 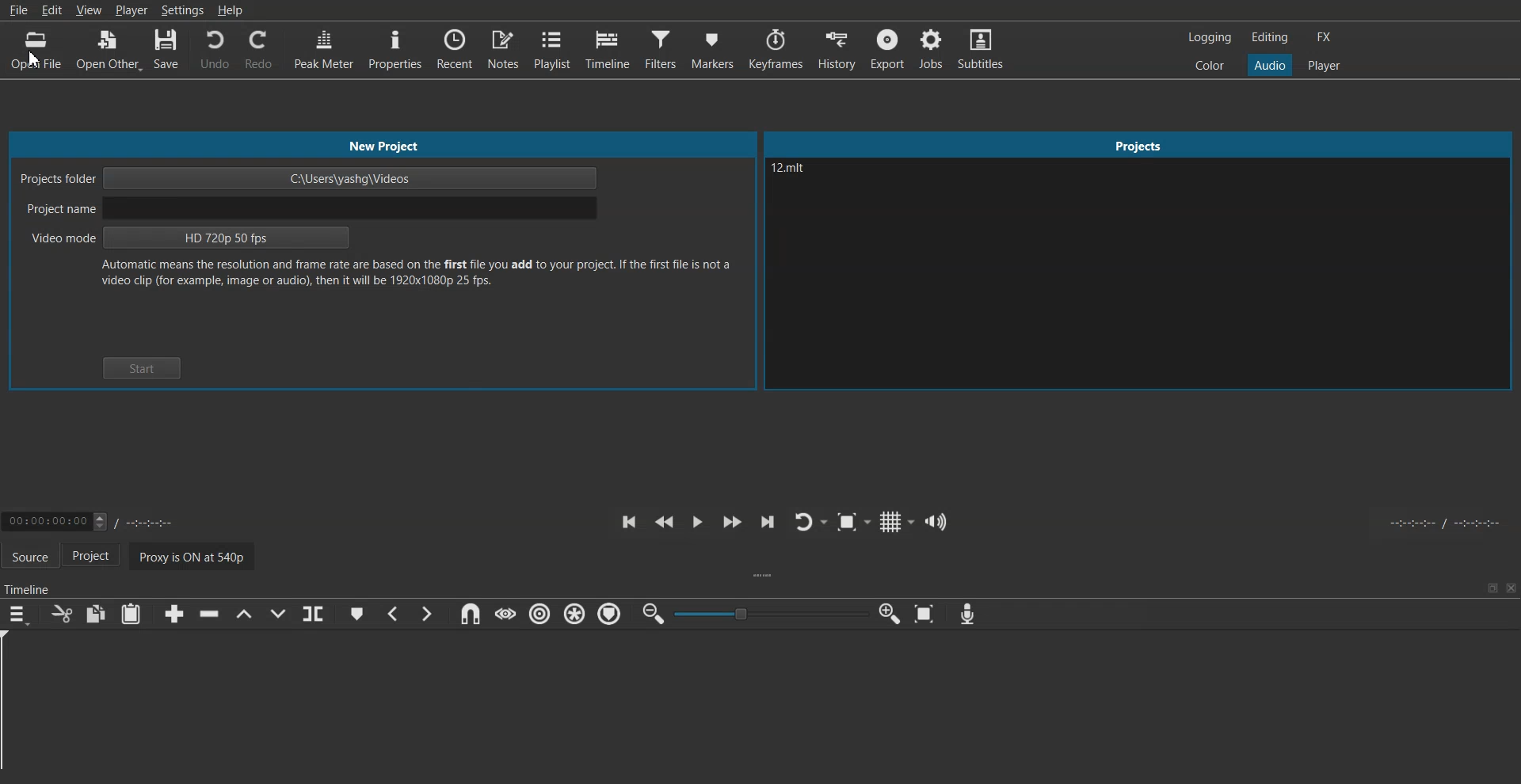 I want to click on Open Other, so click(x=109, y=48).